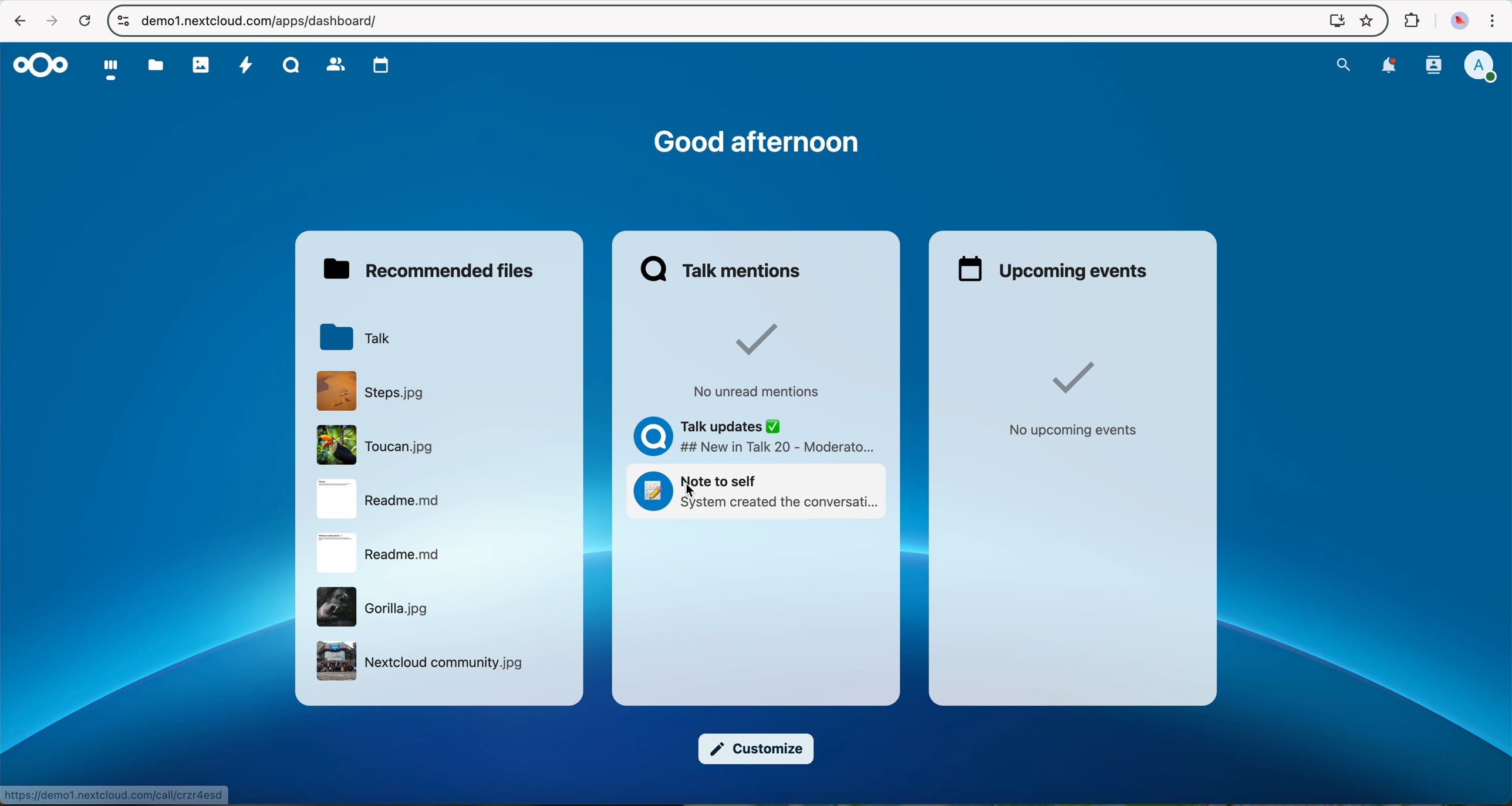 The image size is (1512, 806). What do you see at coordinates (39, 65) in the screenshot?
I see `Nextcloud logo` at bounding box center [39, 65].